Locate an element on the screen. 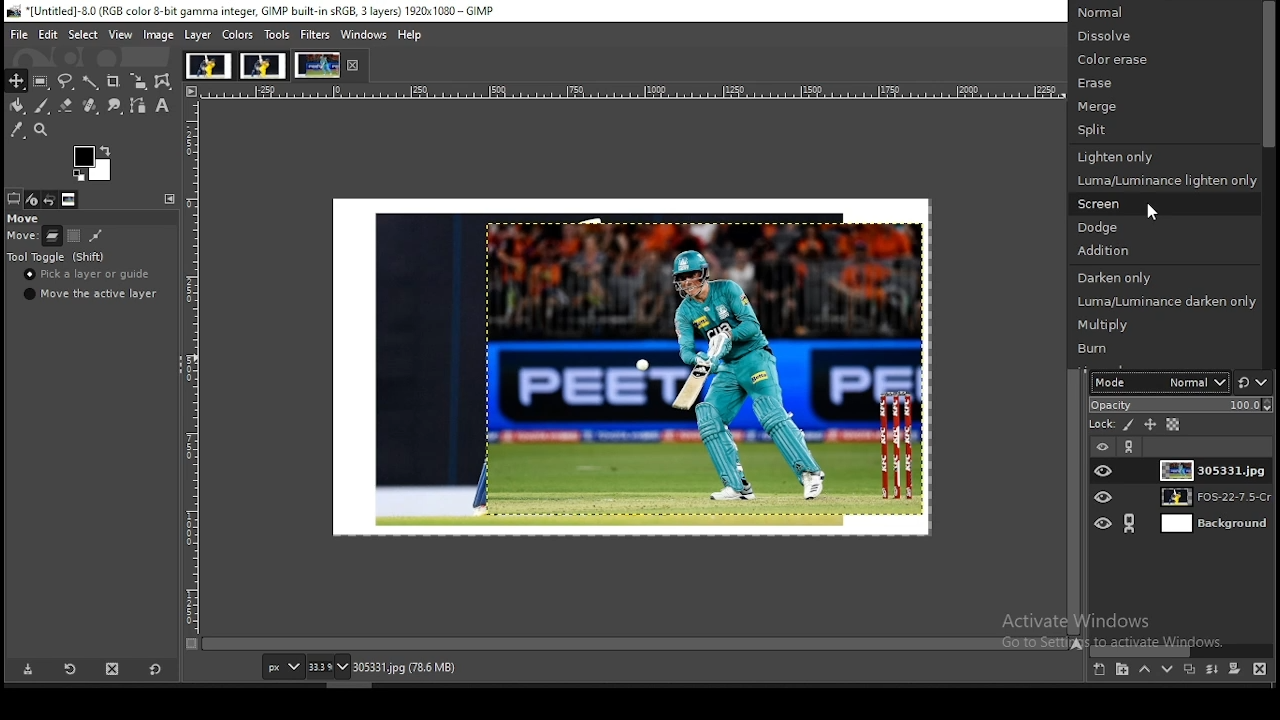  configure this tab is located at coordinates (170, 198).